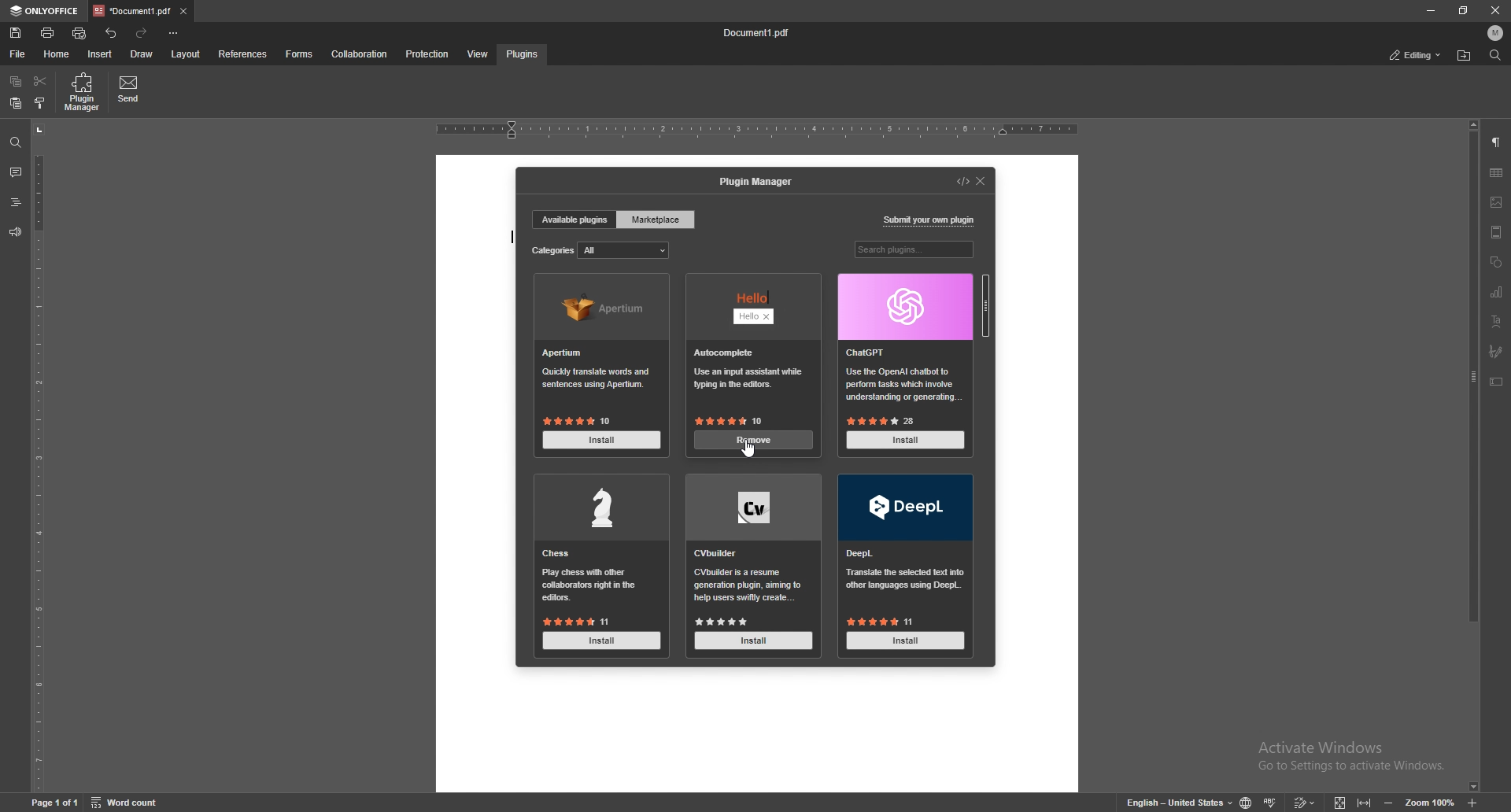 This screenshot has width=1511, height=812. I want to click on install, so click(603, 441).